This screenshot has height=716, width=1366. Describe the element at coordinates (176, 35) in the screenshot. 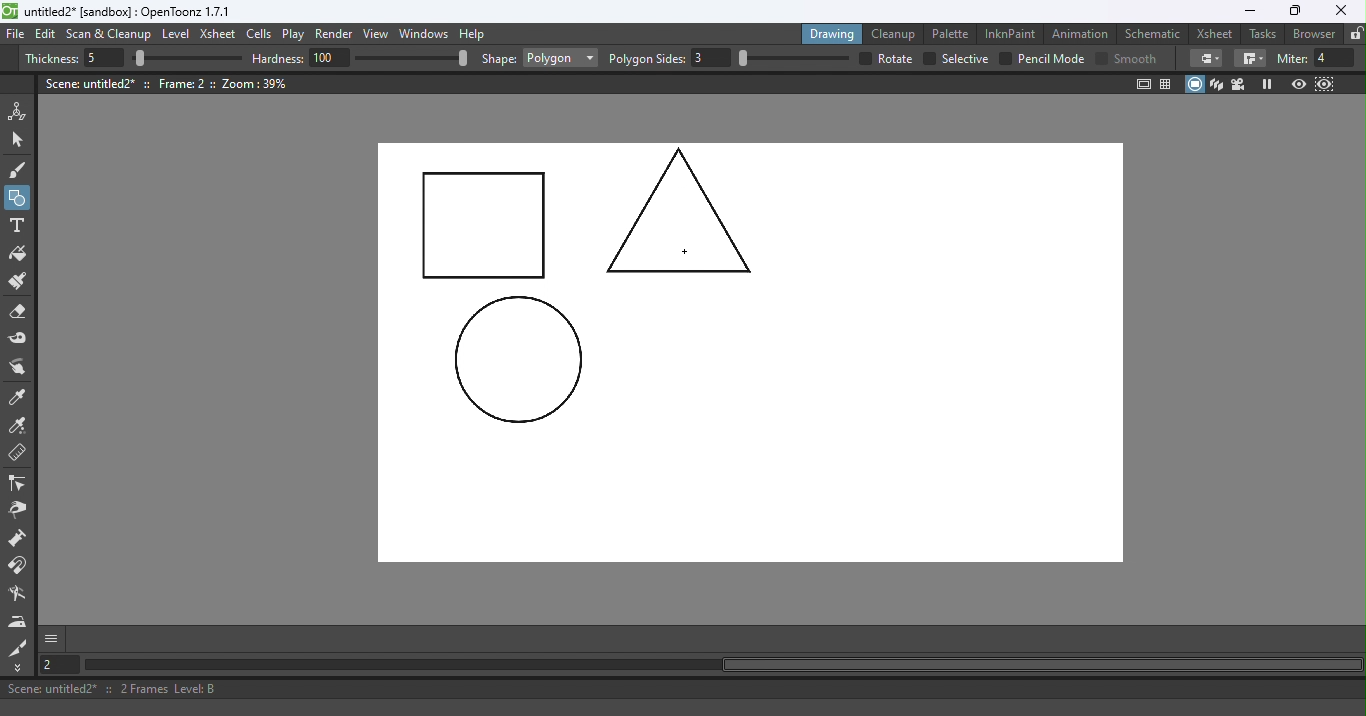

I see `Level` at that location.